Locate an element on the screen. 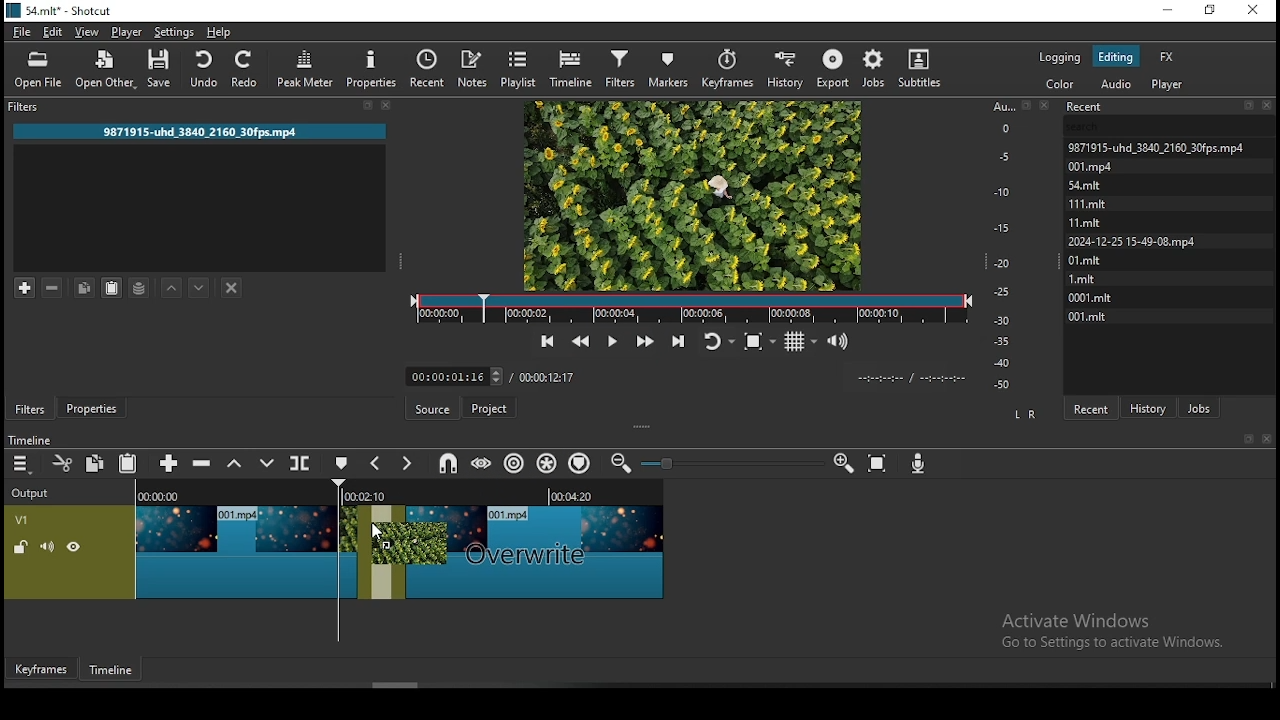  total time is located at coordinates (547, 377).